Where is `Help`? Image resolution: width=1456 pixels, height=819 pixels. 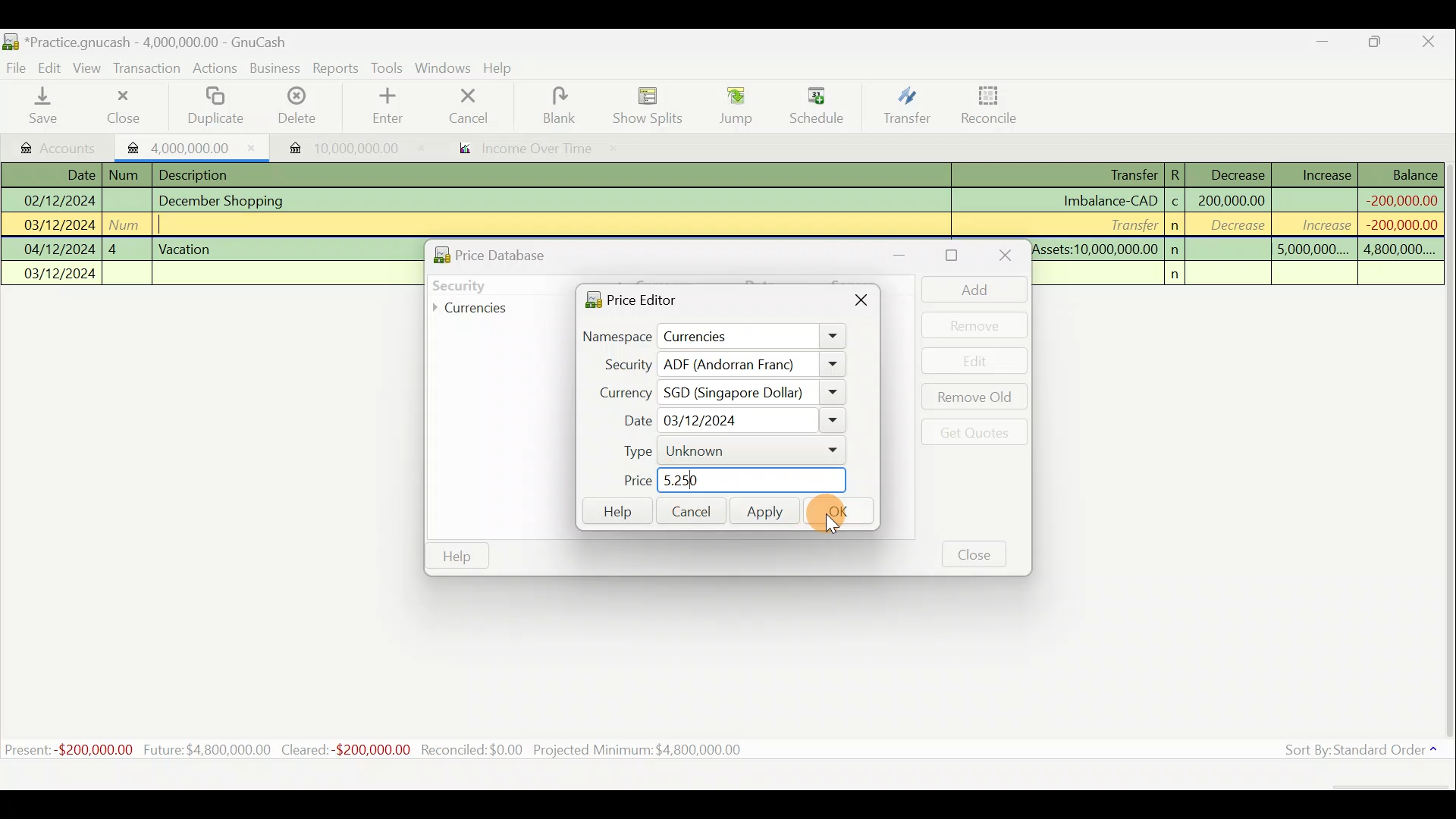 Help is located at coordinates (457, 557).